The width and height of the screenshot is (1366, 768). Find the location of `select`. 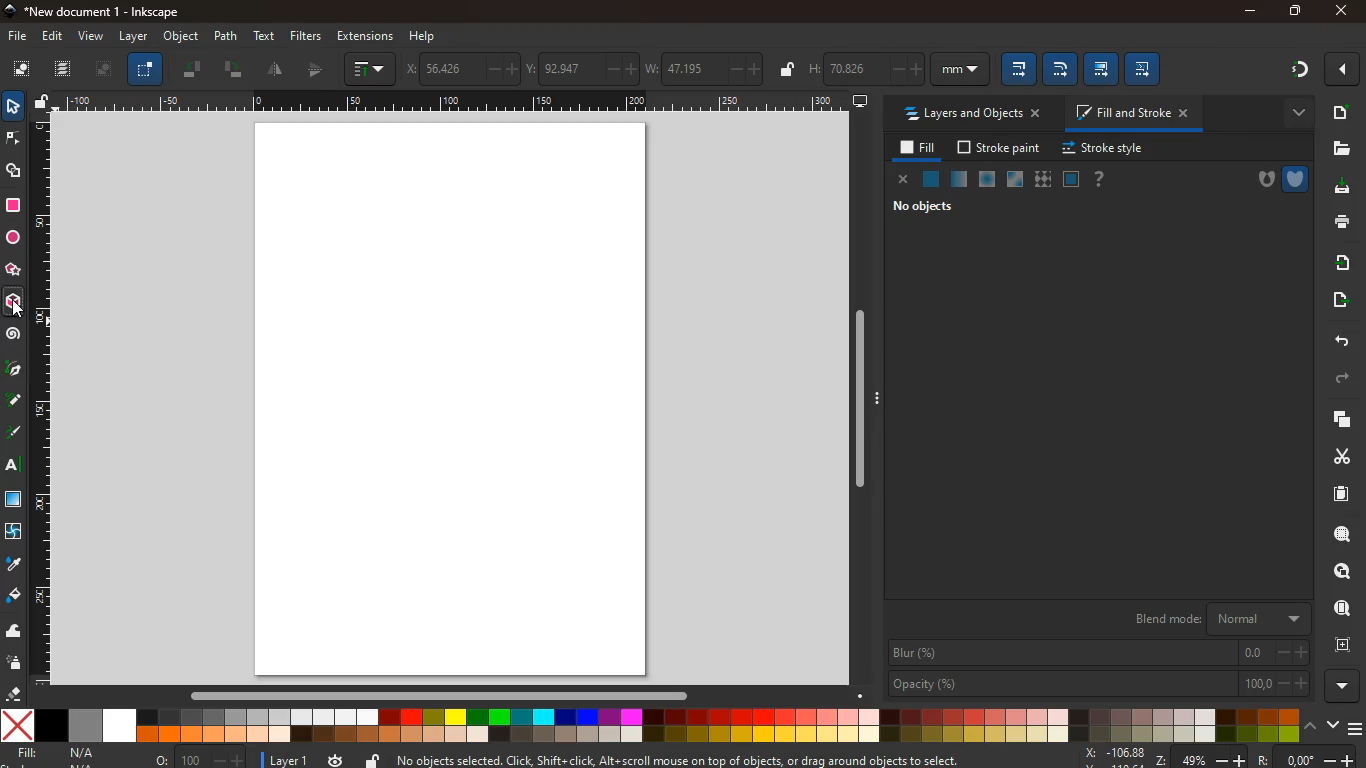

select is located at coordinates (12, 108).